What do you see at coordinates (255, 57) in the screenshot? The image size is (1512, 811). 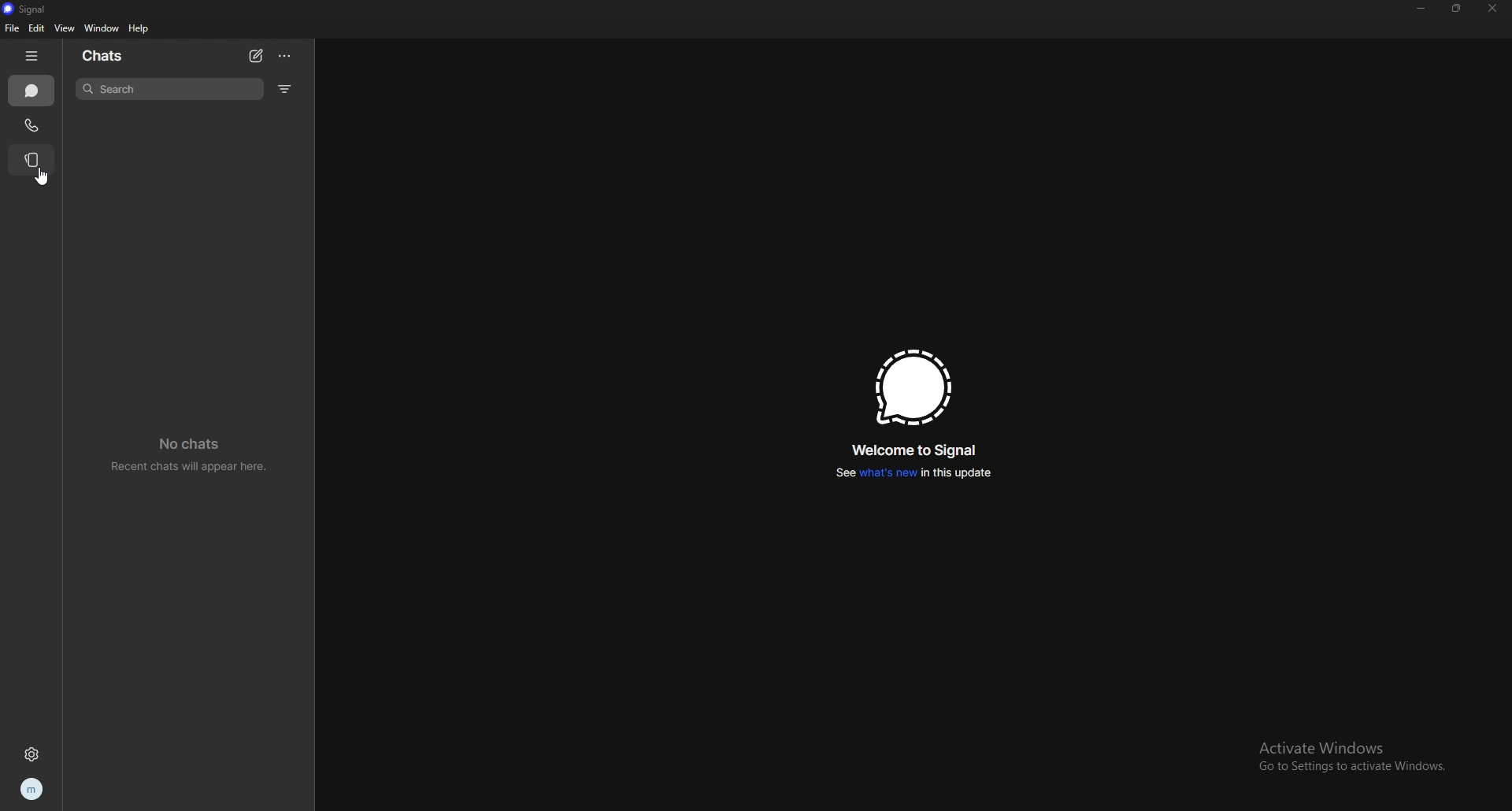 I see `new chat` at bounding box center [255, 57].